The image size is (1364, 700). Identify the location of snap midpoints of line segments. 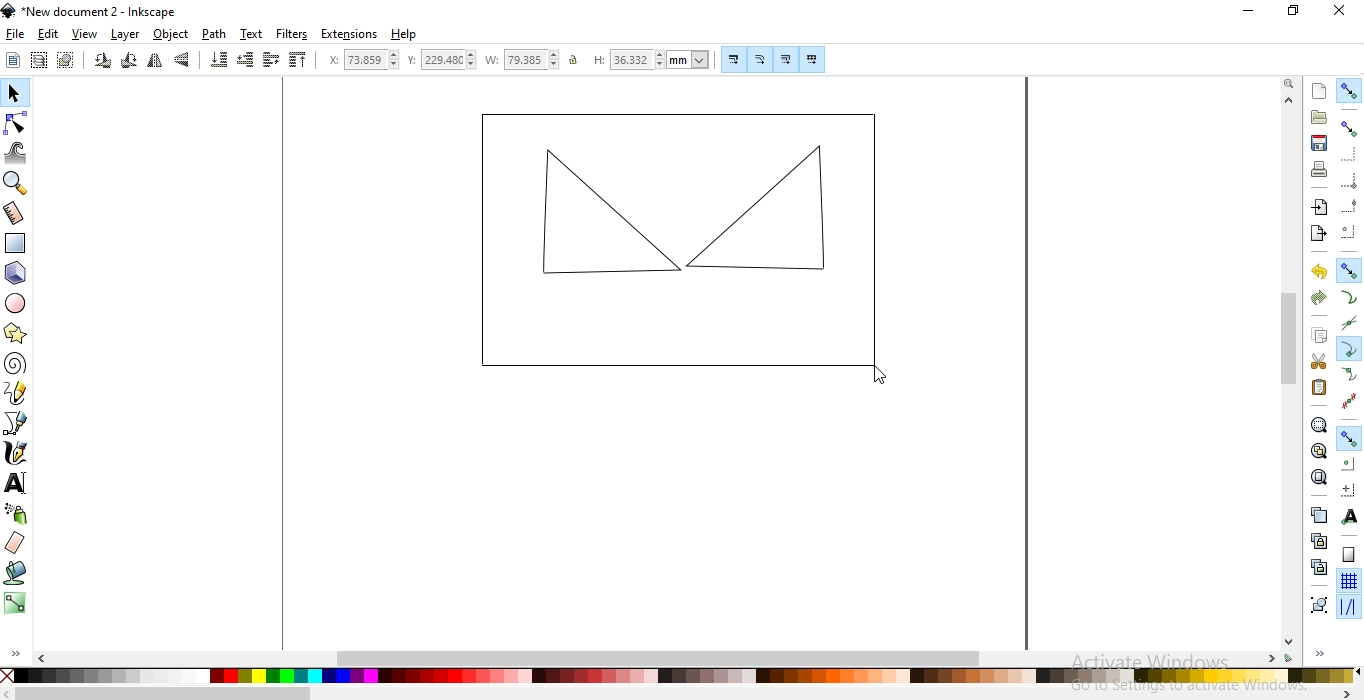
(1350, 402).